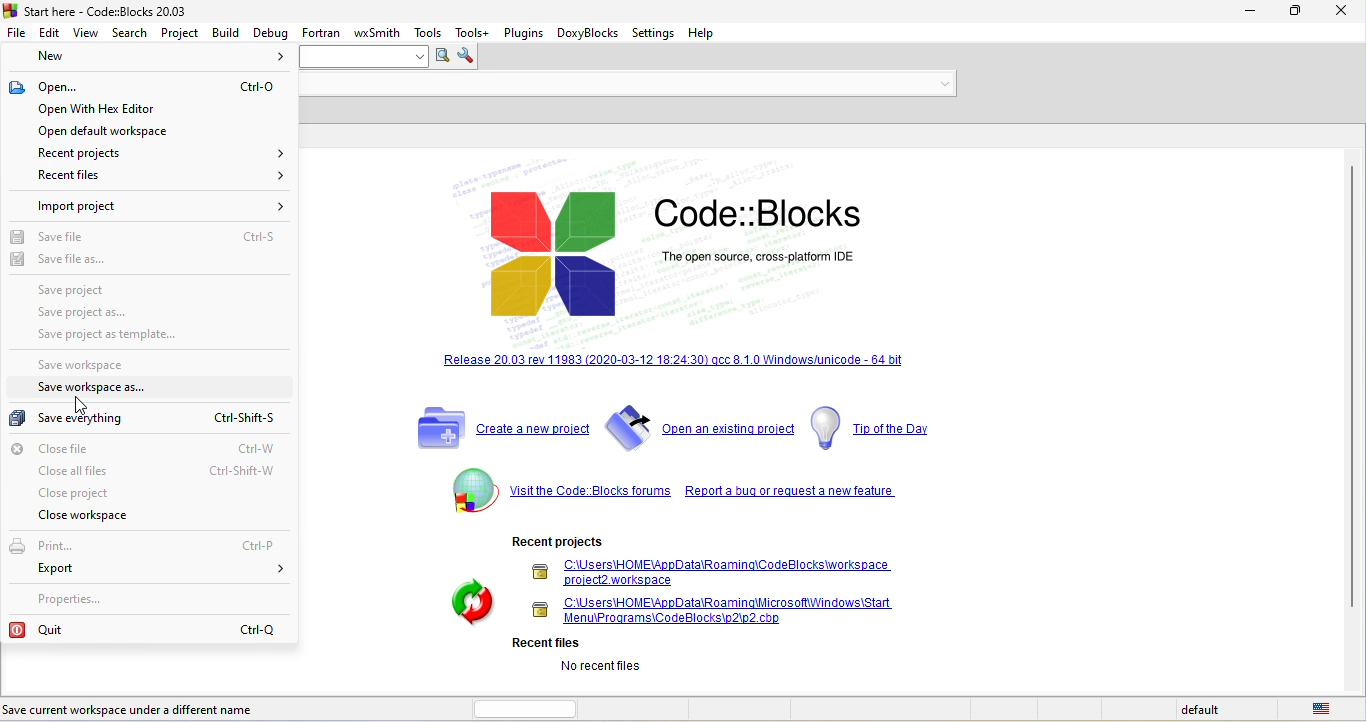 The height and width of the screenshot is (722, 1366). What do you see at coordinates (656, 33) in the screenshot?
I see `settings` at bounding box center [656, 33].